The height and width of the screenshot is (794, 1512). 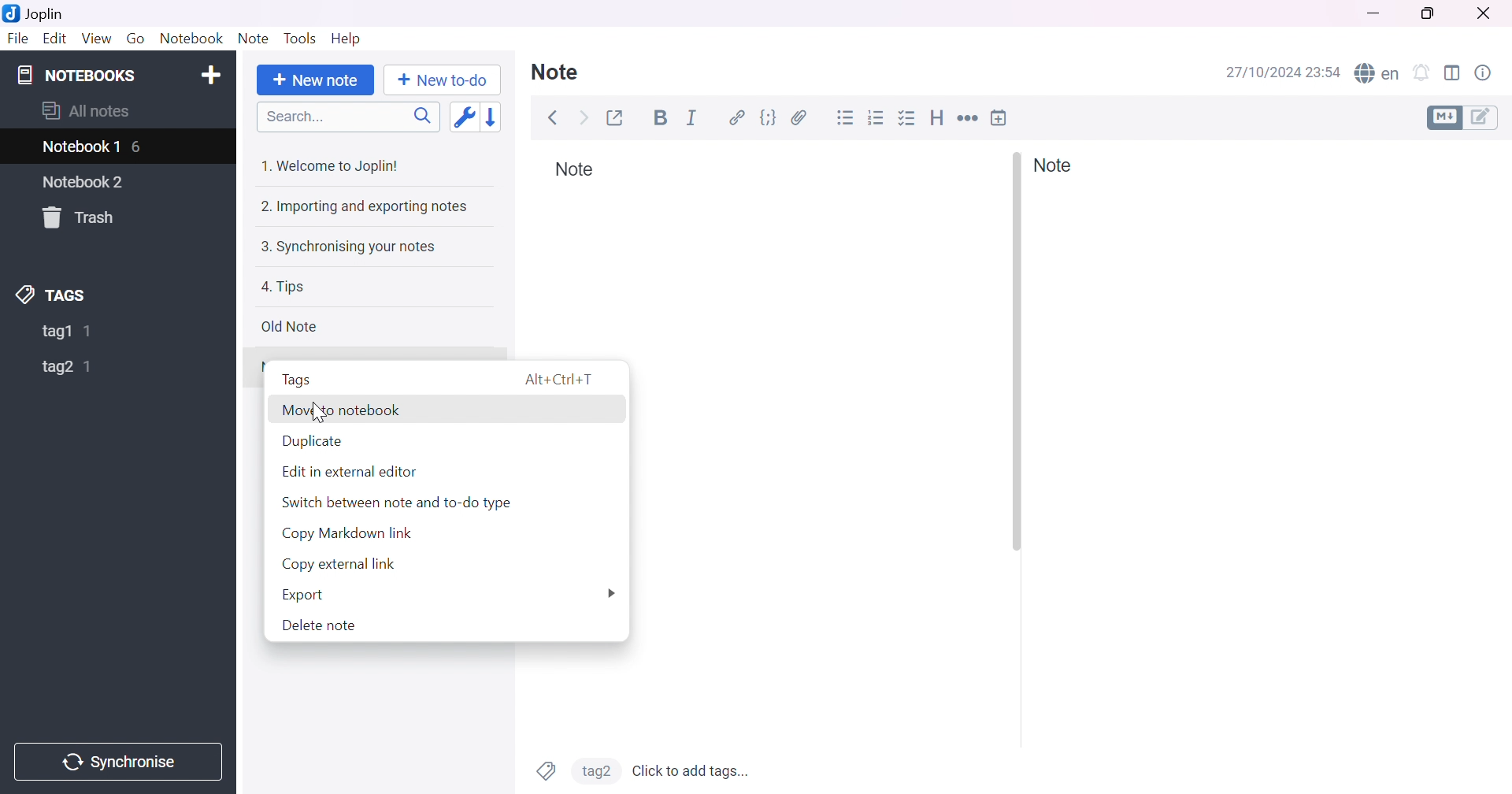 What do you see at coordinates (313, 441) in the screenshot?
I see `Duplicate` at bounding box center [313, 441].